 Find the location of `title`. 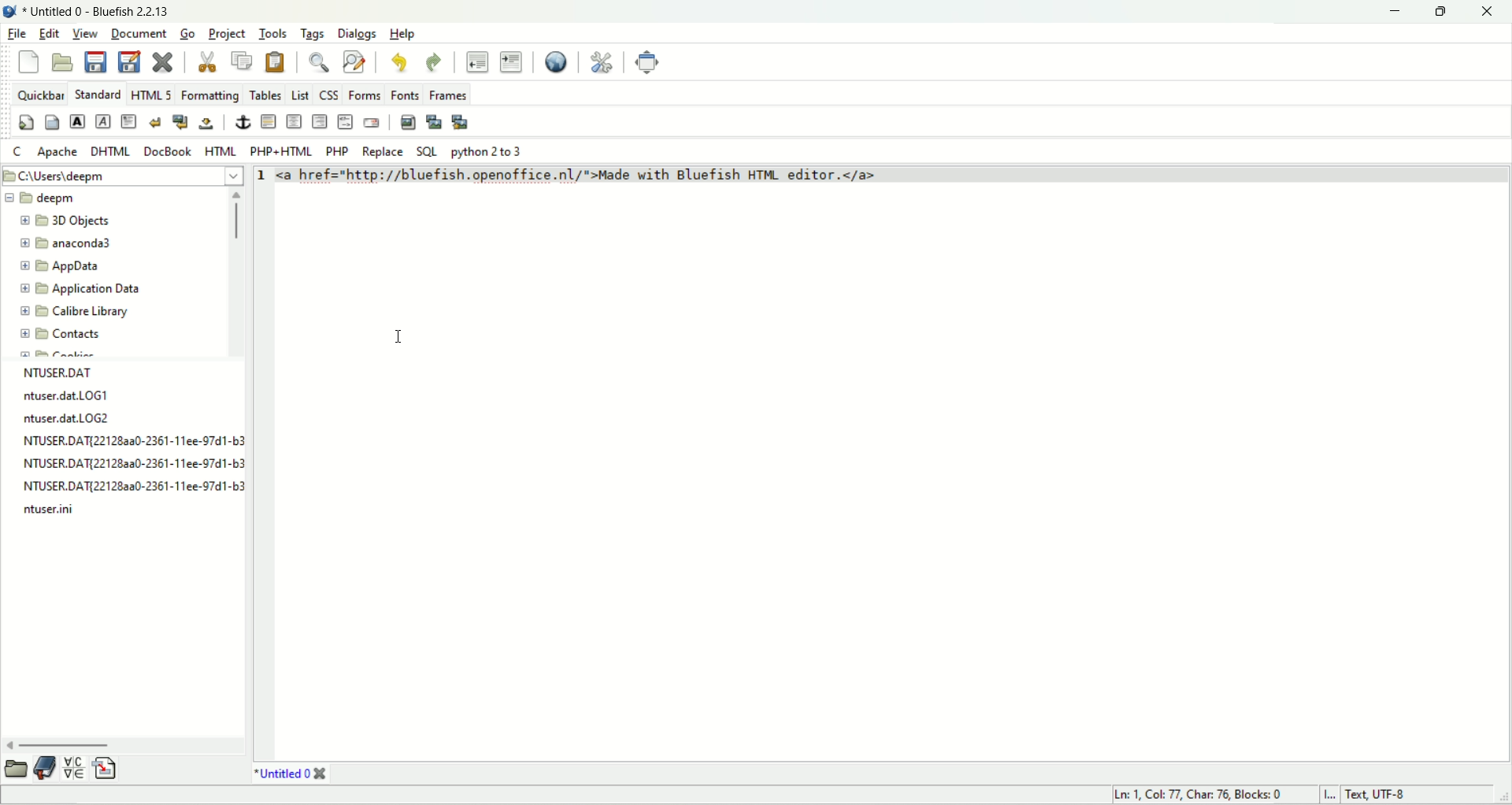

title is located at coordinates (289, 773).